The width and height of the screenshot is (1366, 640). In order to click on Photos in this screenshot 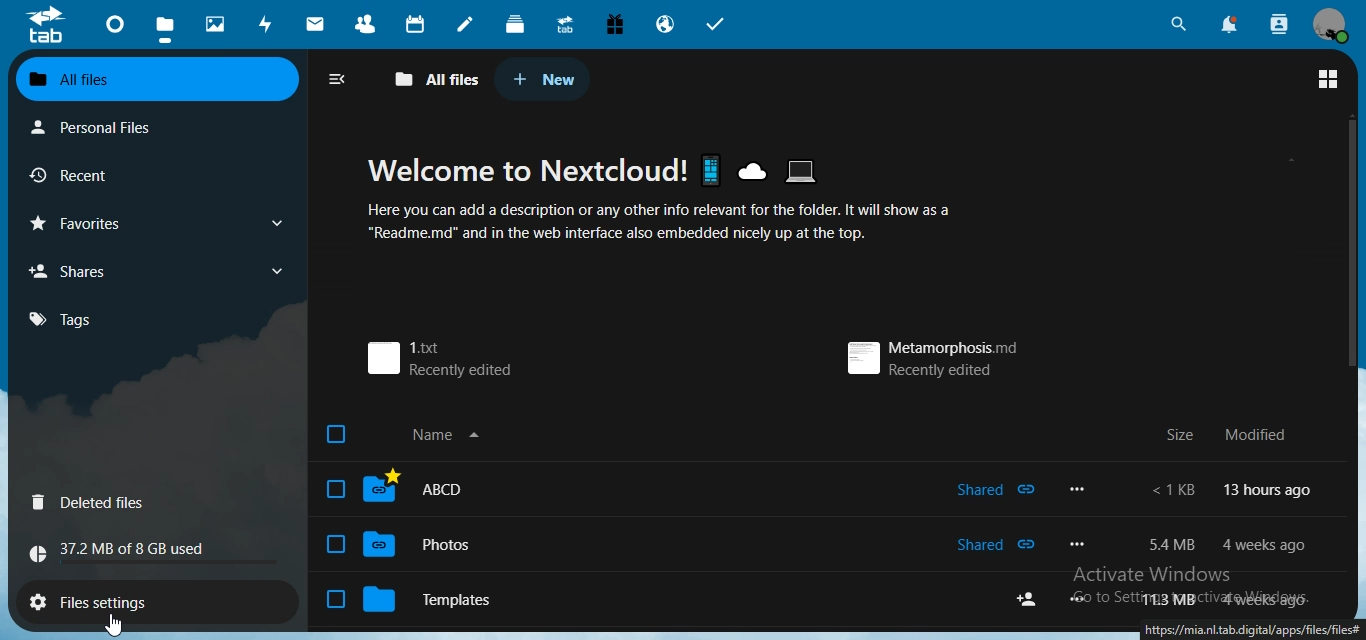, I will do `click(446, 543)`.